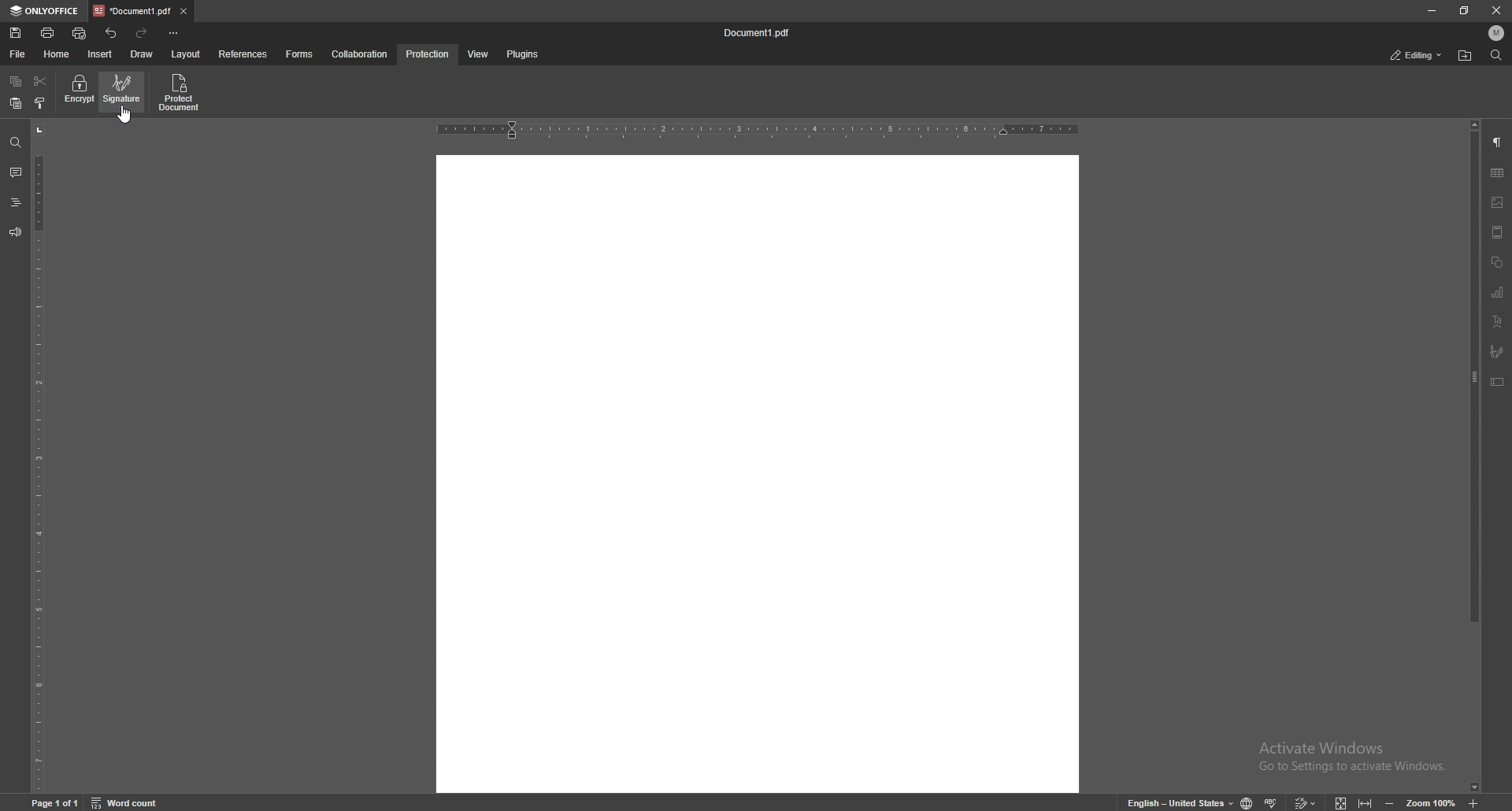 The width and height of the screenshot is (1512, 811). What do you see at coordinates (14, 232) in the screenshot?
I see `feedback` at bounding box center [14, 232].